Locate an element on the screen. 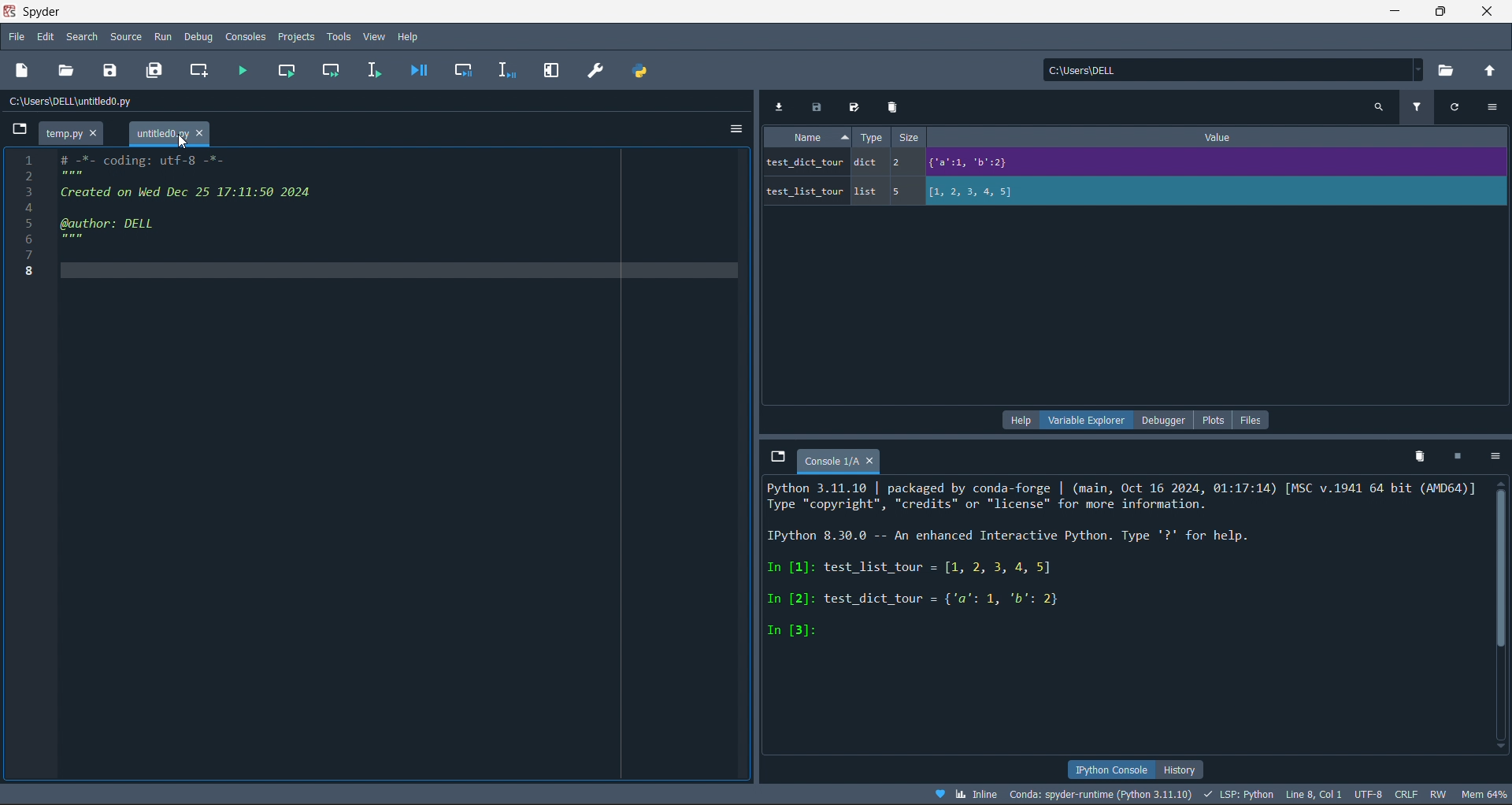 The width and height of the screenshot is (1512, 805). browse directory is located at coordinates (1449, 72).